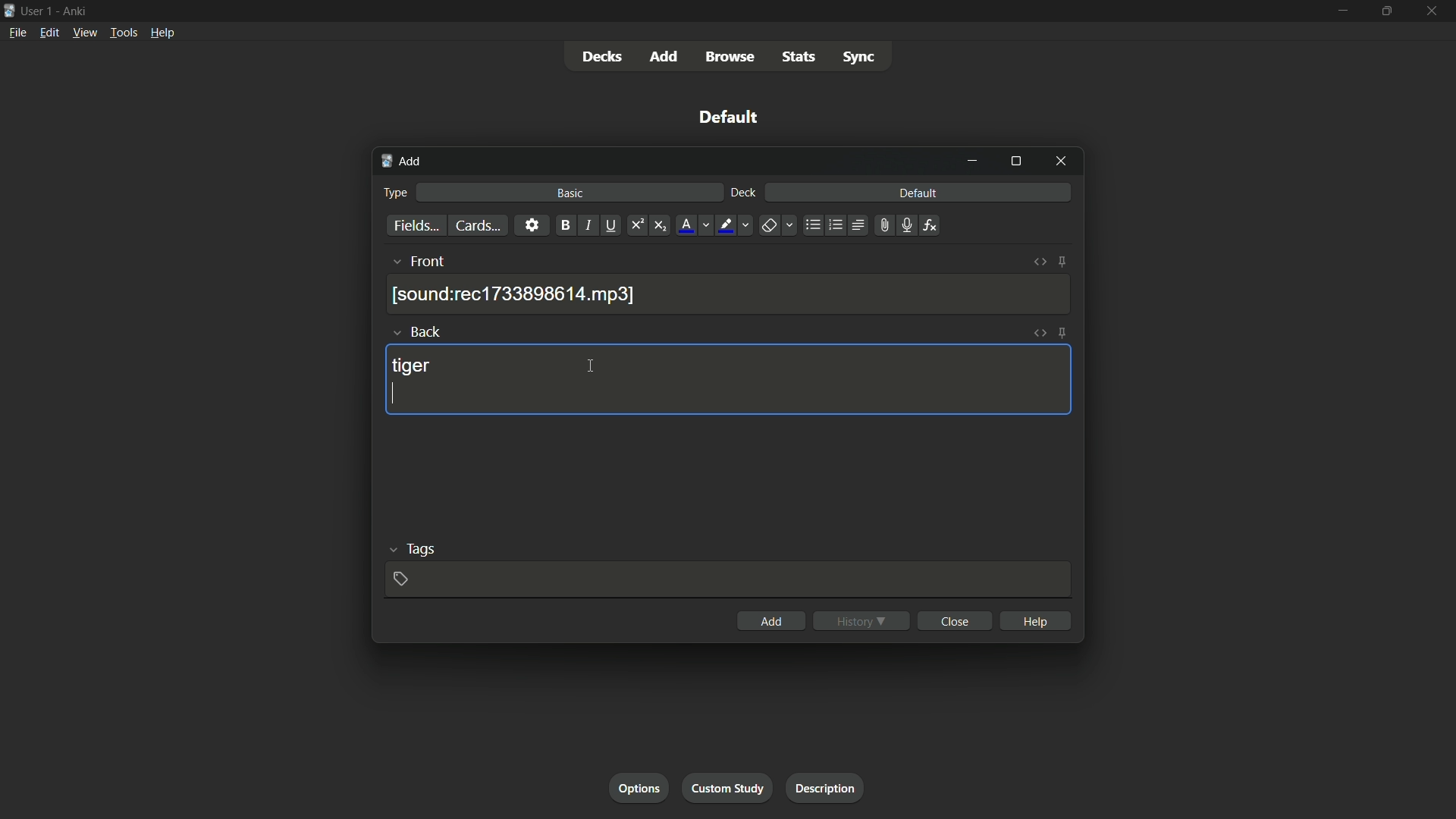  I want to click on ordered list, so click(834, 225).